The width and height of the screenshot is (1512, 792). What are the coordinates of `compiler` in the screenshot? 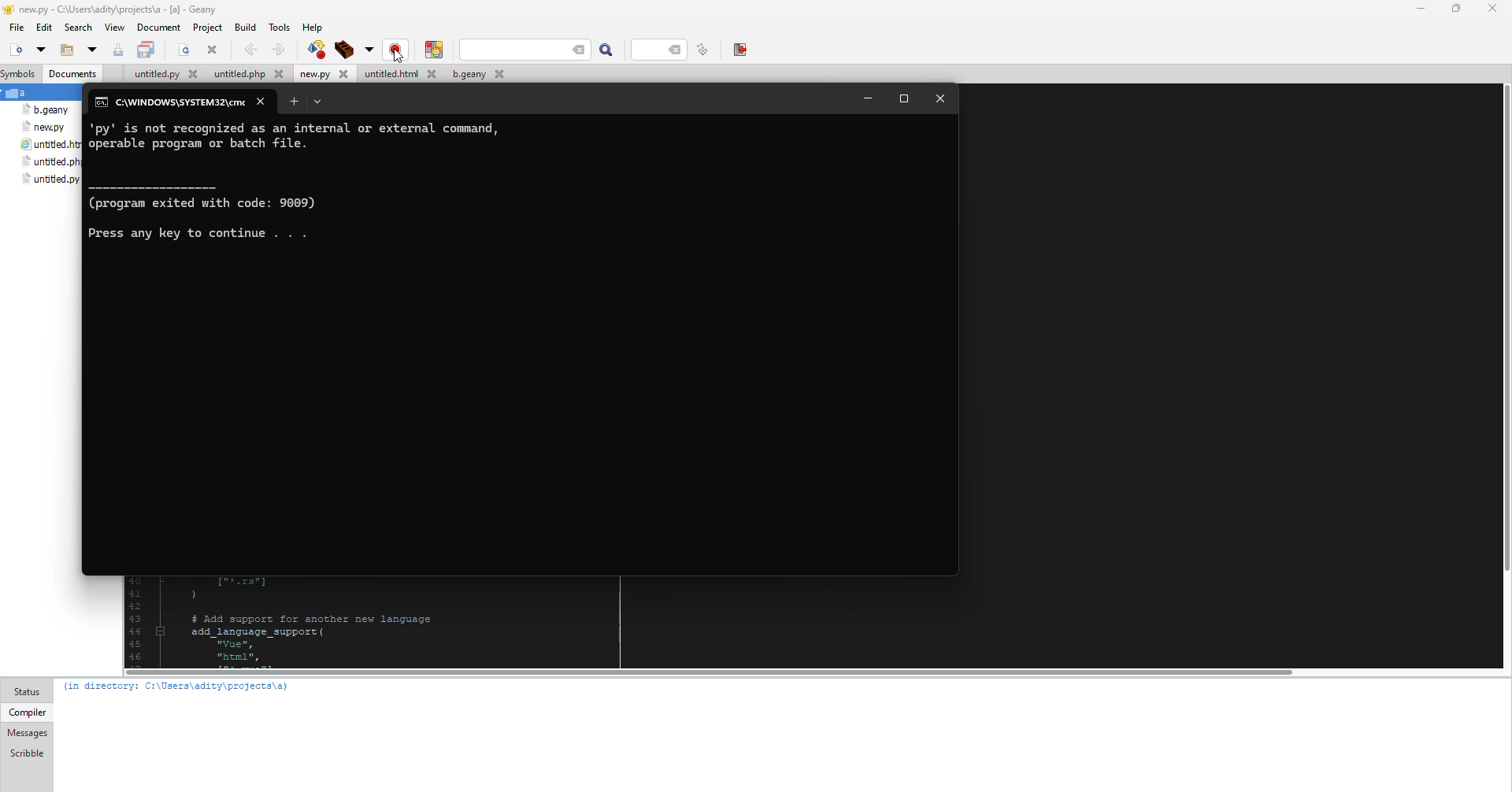 It's located at (28, 712).